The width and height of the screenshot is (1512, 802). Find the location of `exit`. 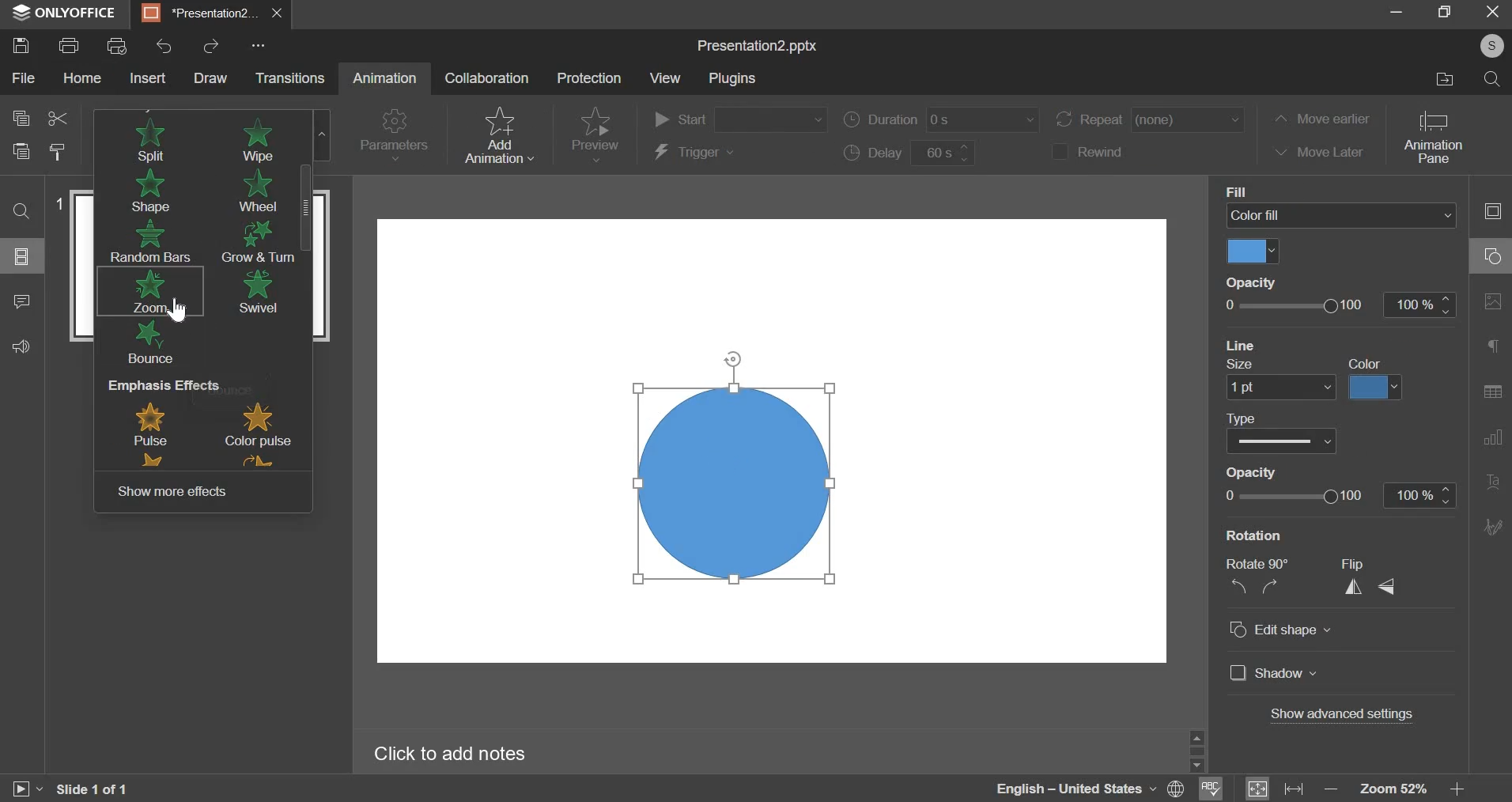

exit is located at coordinates (1496, 13).